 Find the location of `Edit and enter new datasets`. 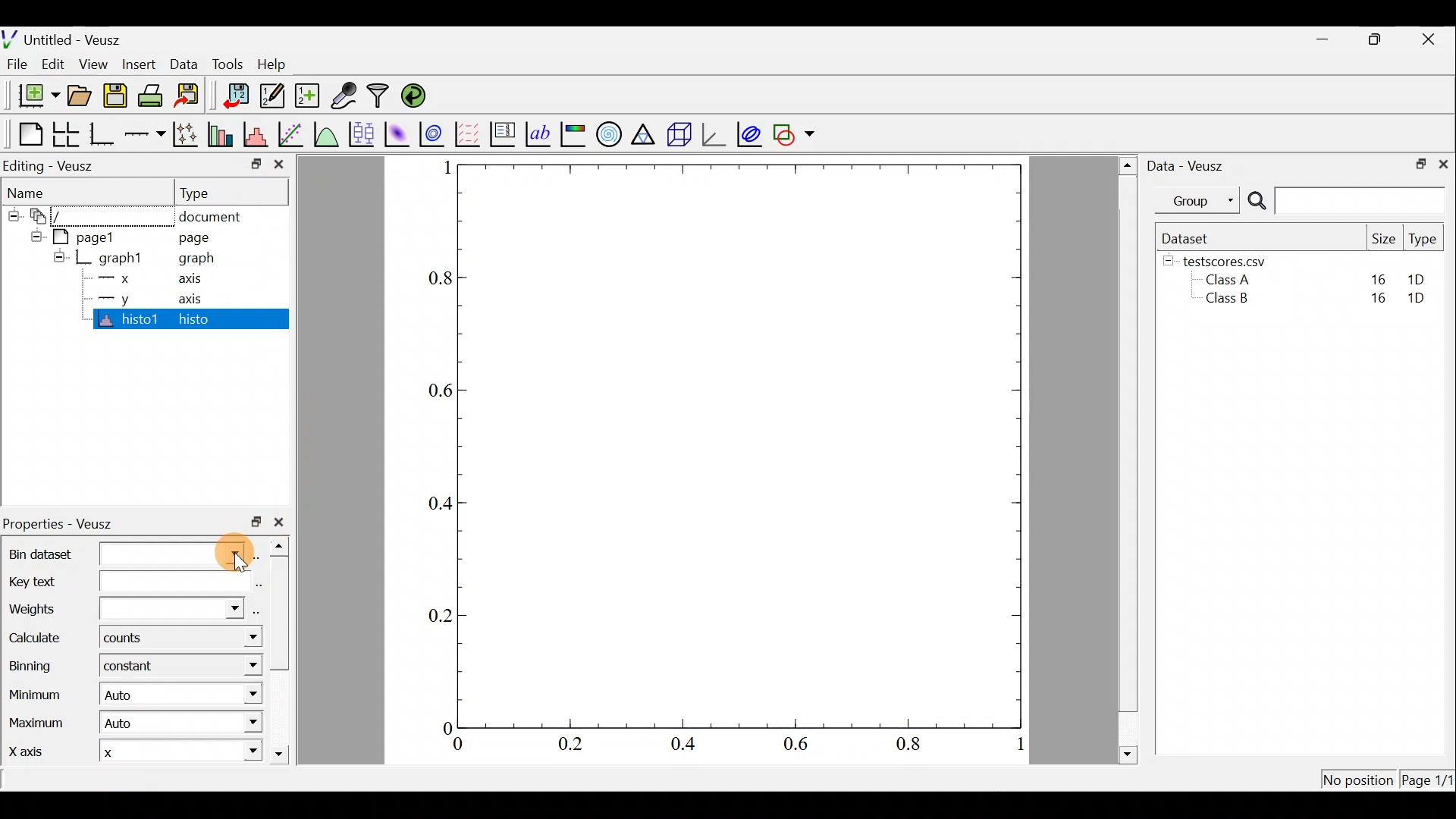

Edit and enter new datasets is located at coordinates (269, 96).